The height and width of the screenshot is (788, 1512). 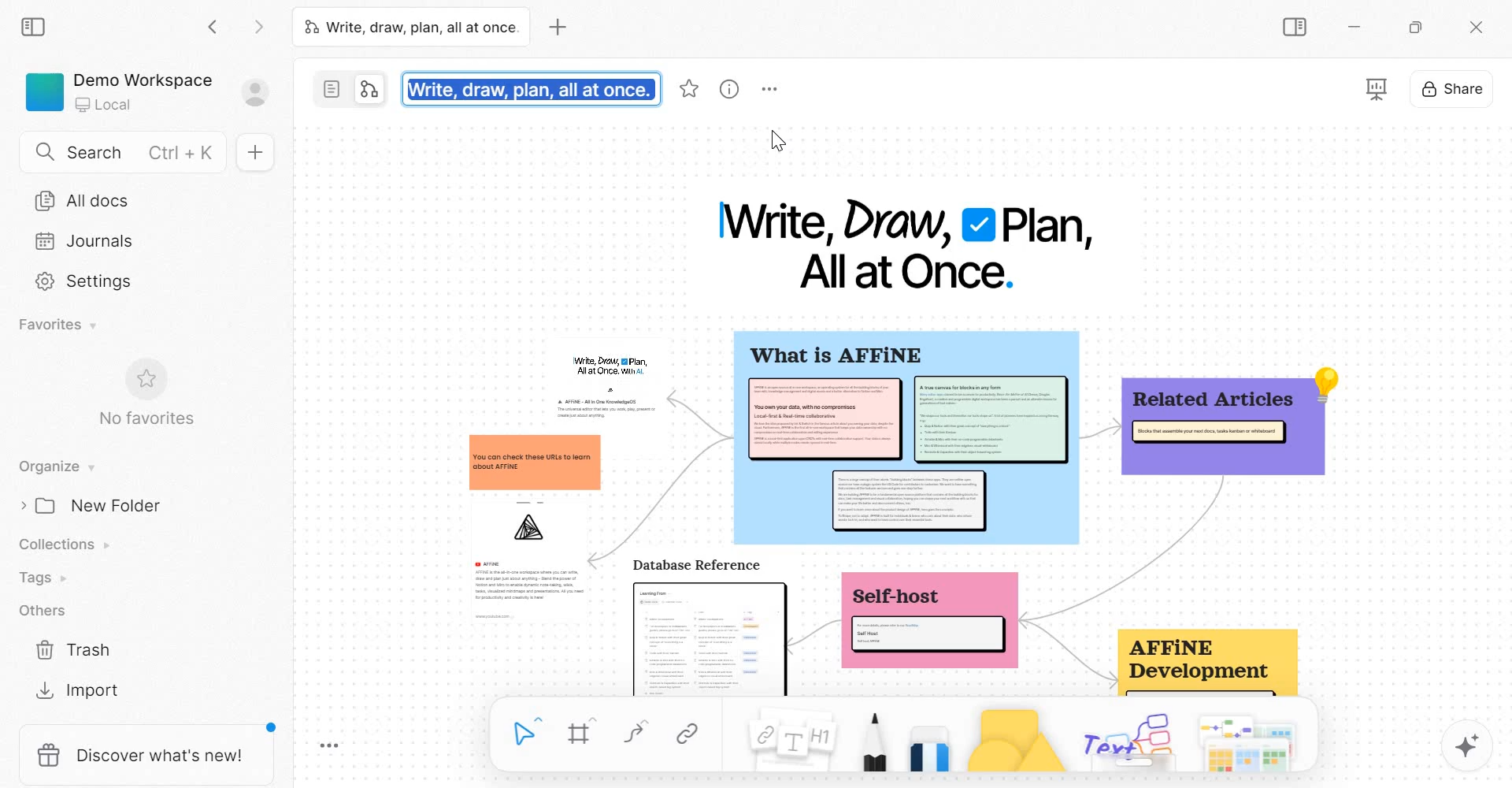 I want to click on new tab, so click(x=560, y=26).